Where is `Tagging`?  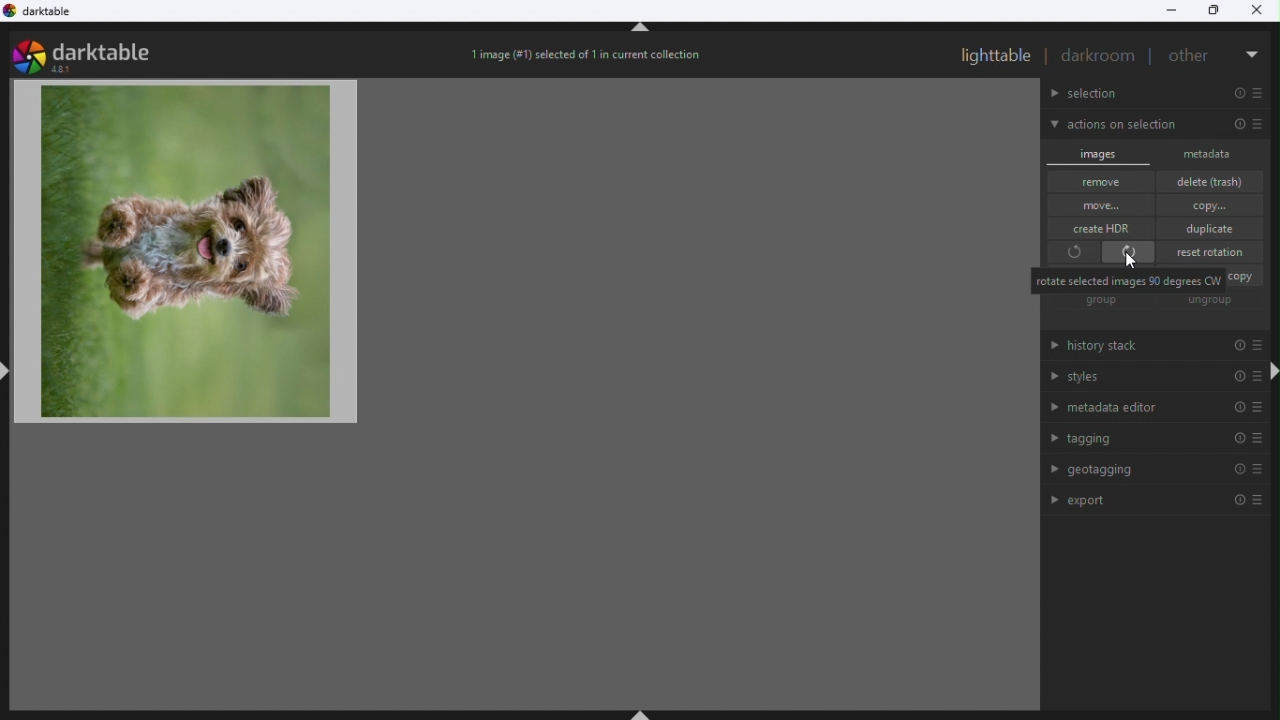
Tagging is located at coordinates (1153, 439).